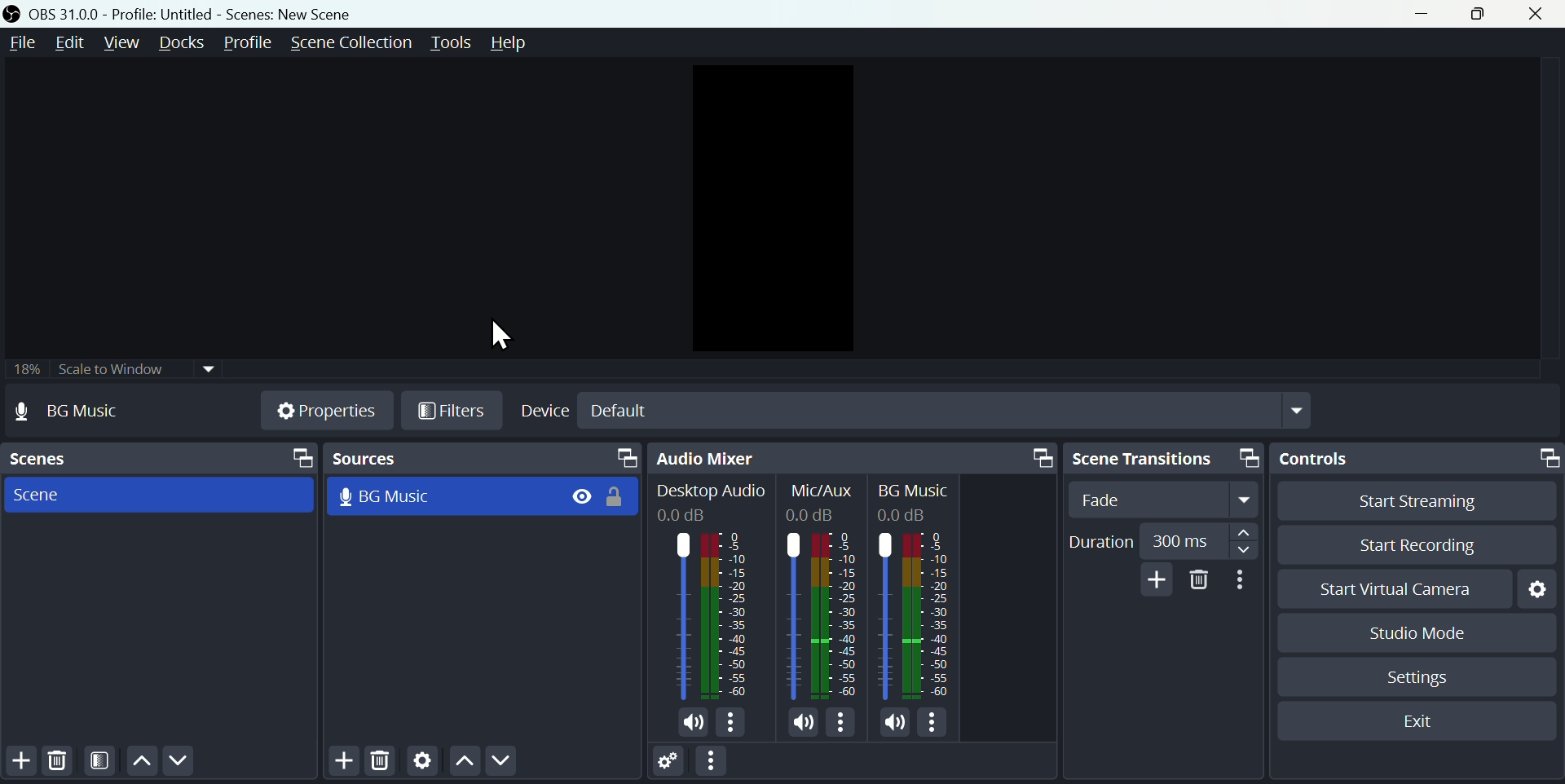 Image resolution: width=1565 pixels, height=784 pixels. I want to click on , so click(693, 516).